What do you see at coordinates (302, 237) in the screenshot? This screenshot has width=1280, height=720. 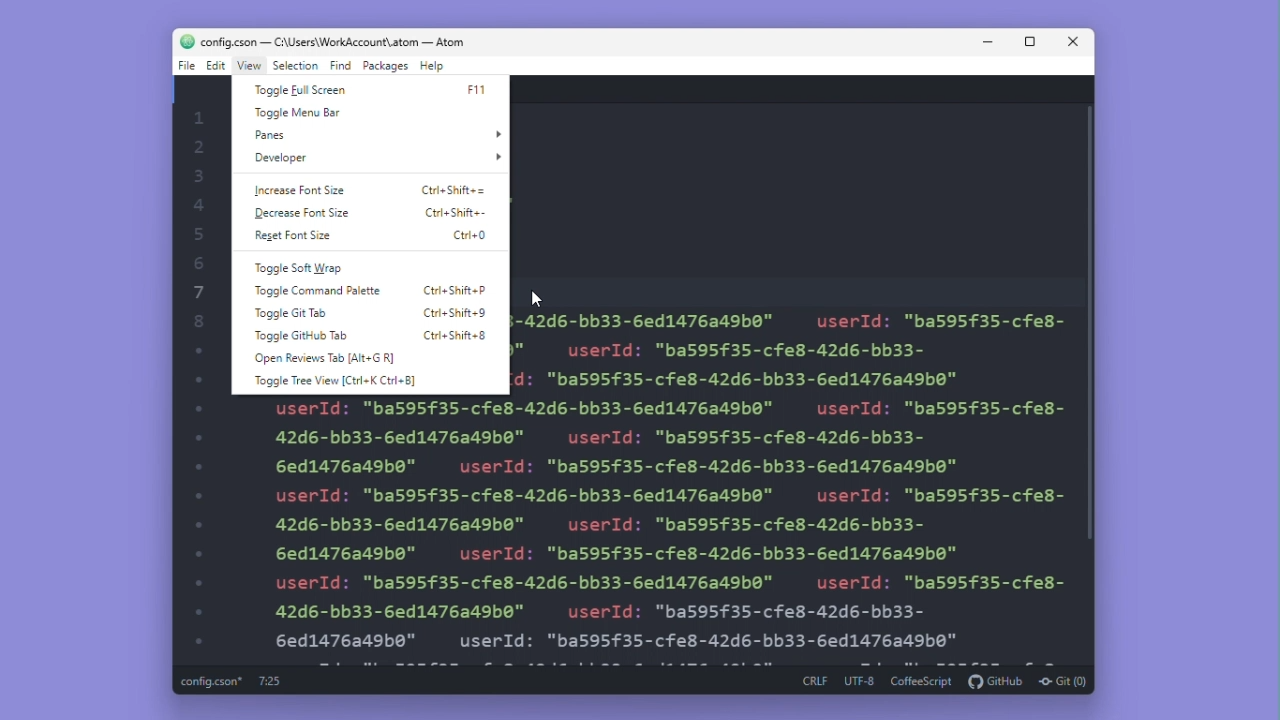 I see `Reset franchise` at bounding box center [302, 237].